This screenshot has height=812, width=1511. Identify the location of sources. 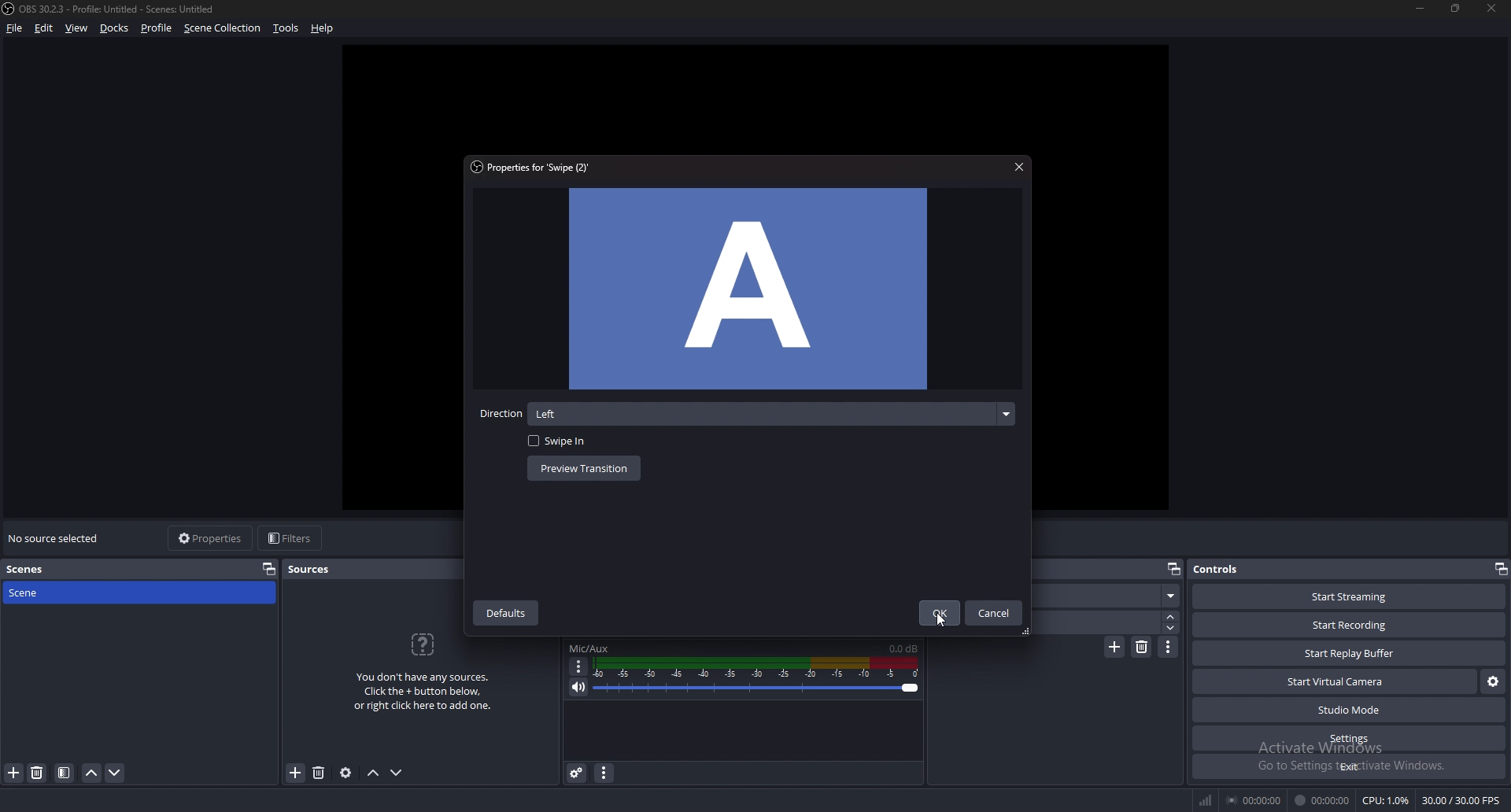
(310, 570).